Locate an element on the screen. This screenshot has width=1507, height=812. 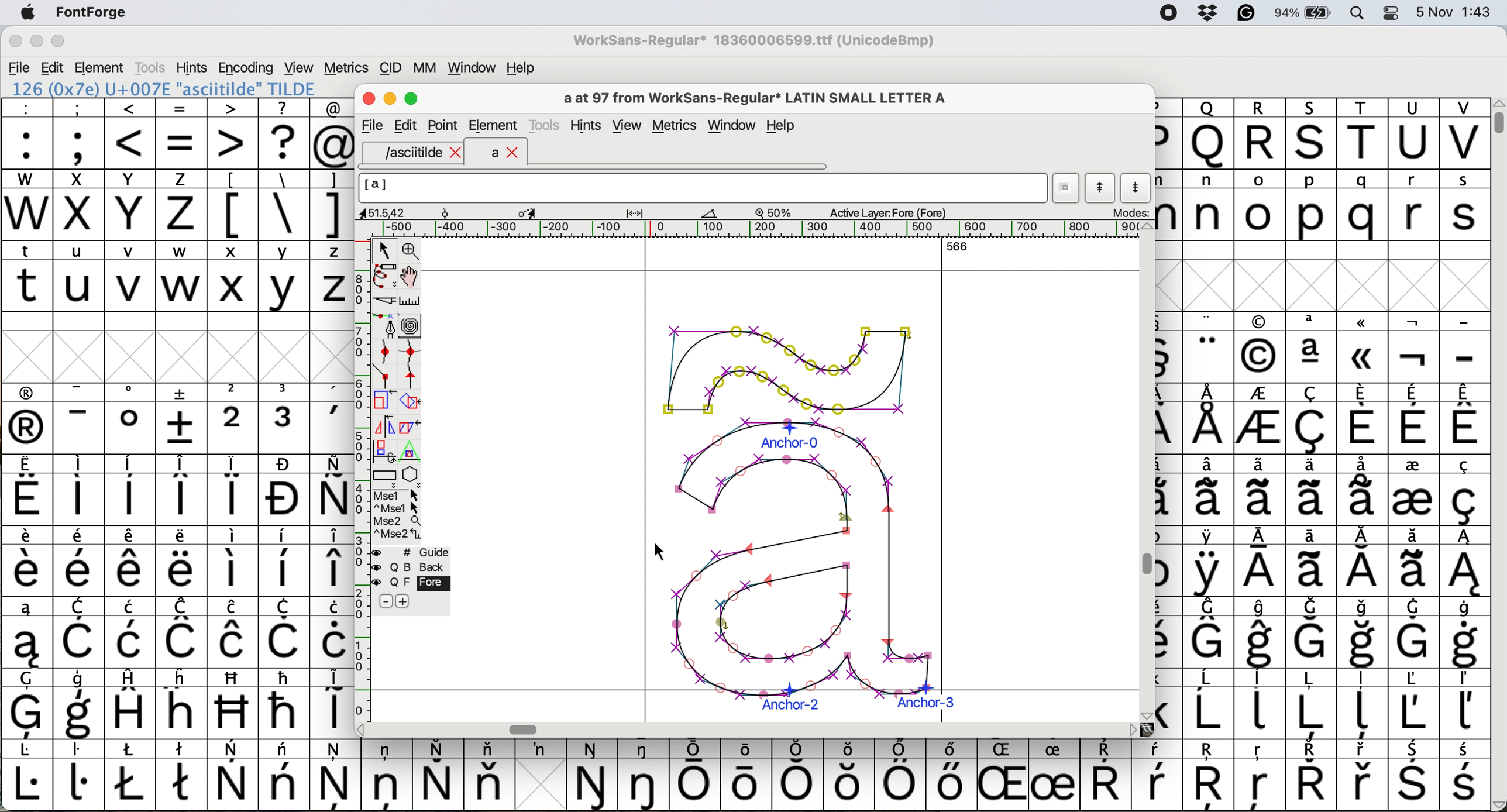
symbol is located at coordinates (1310, 703).